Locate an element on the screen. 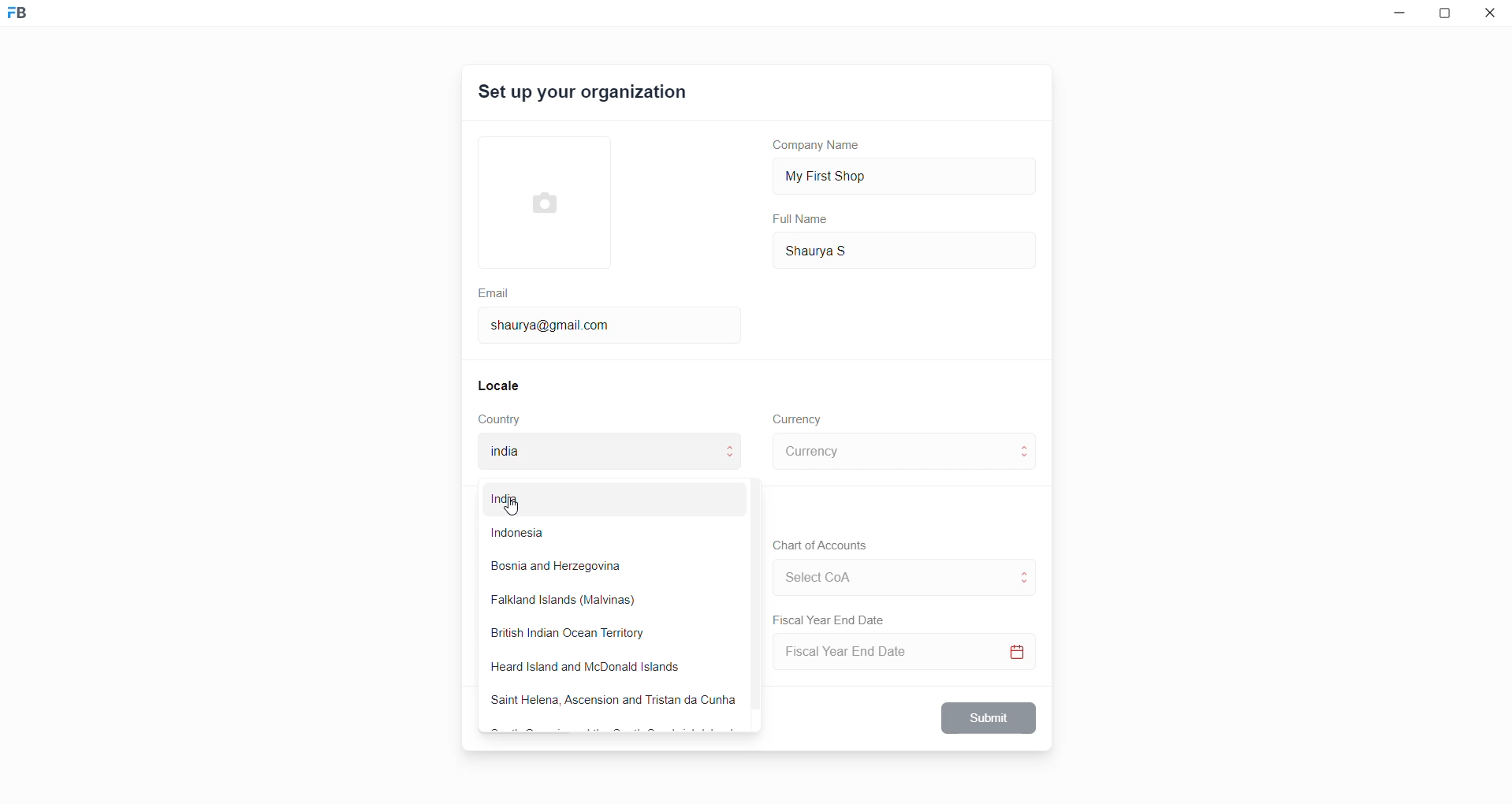  minimize is located at coordinates (1396, 17).